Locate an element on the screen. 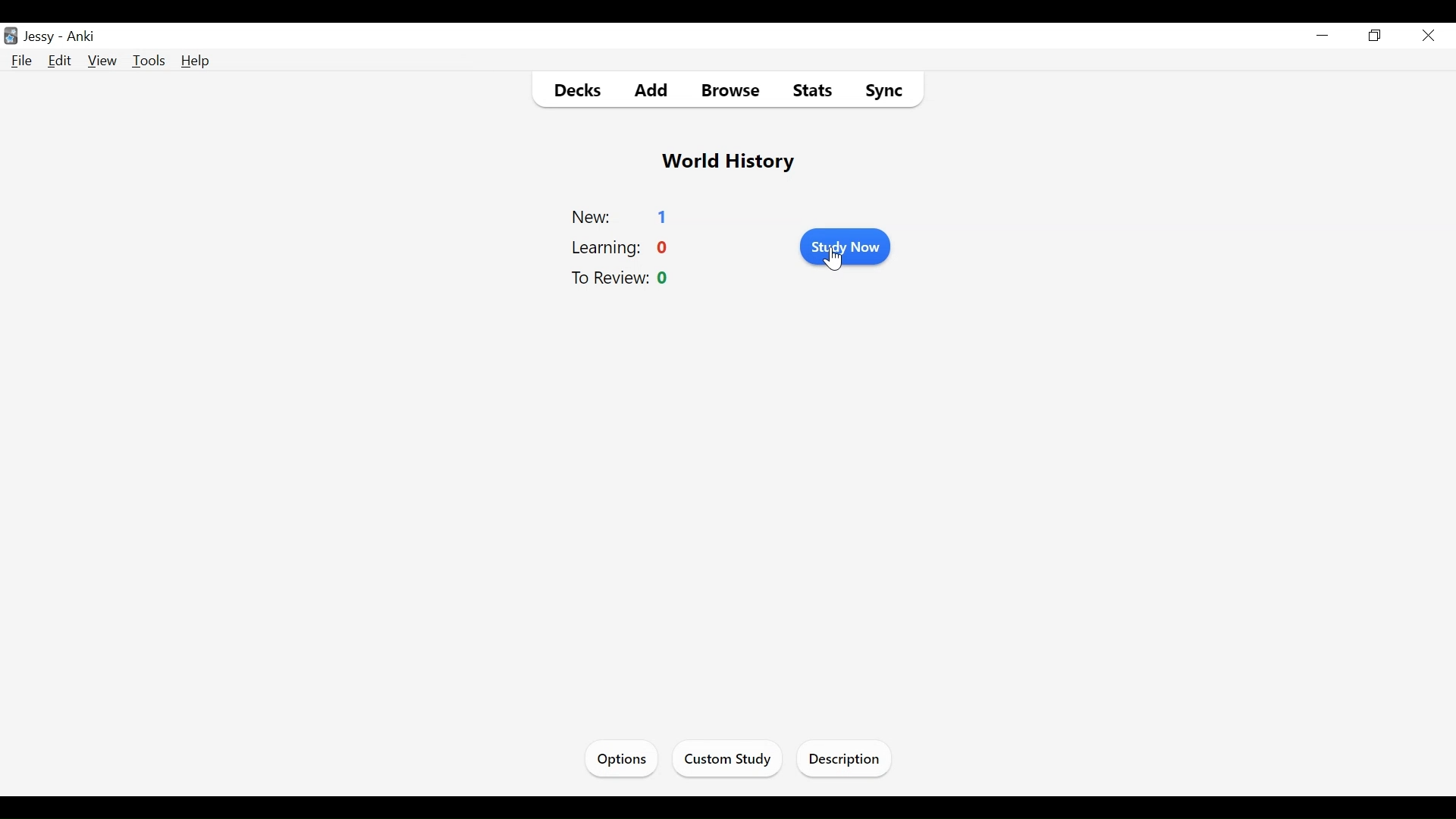 The image size is (1456, 819). Add is located at coordinates (641, 90).